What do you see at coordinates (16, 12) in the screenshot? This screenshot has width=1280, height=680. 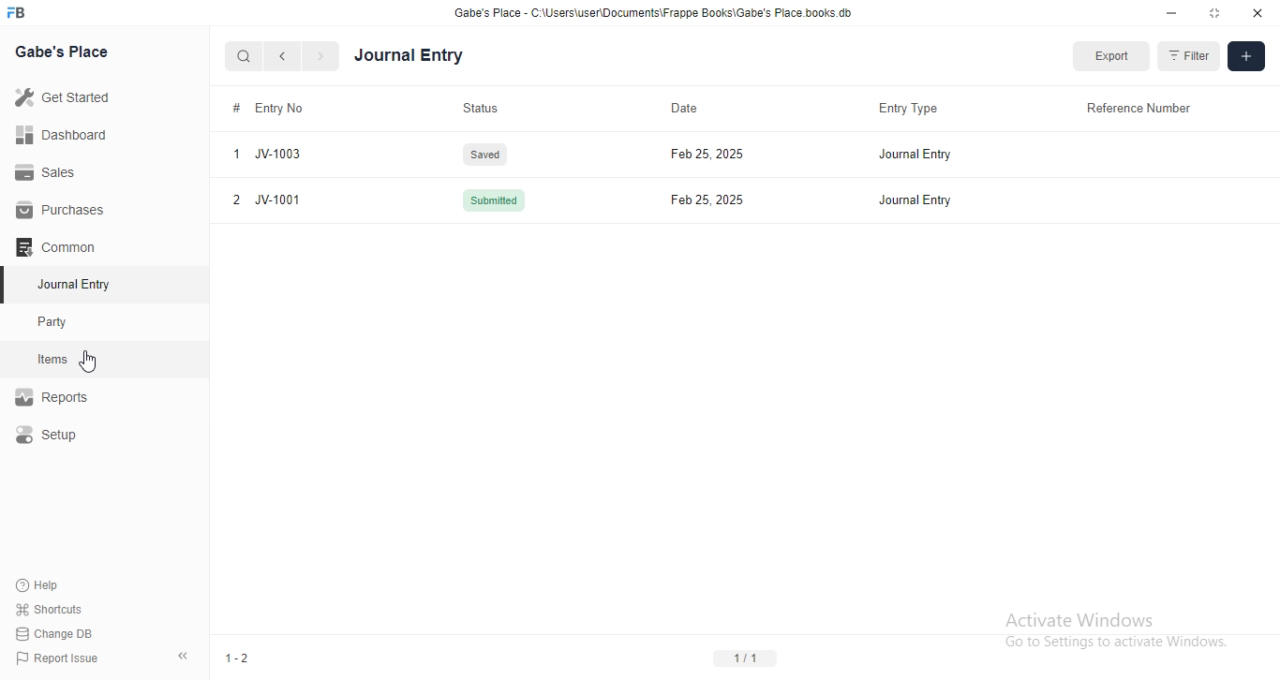 I see `logo` at bounding box center [16, 12].